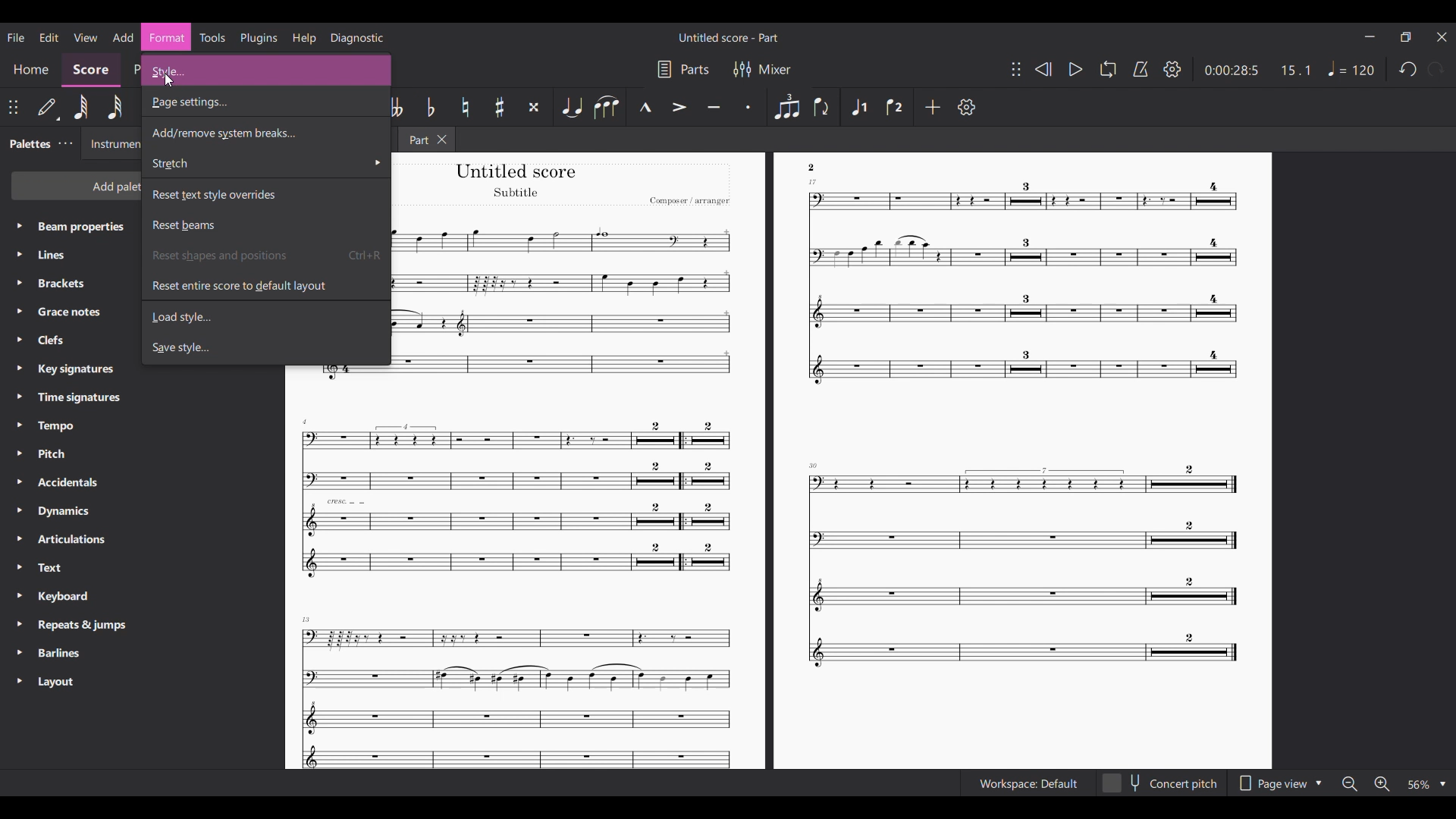 Image resolution: width=1456 pixels, height=819 pixels. I want to click on Part tab, so click(414, 141).